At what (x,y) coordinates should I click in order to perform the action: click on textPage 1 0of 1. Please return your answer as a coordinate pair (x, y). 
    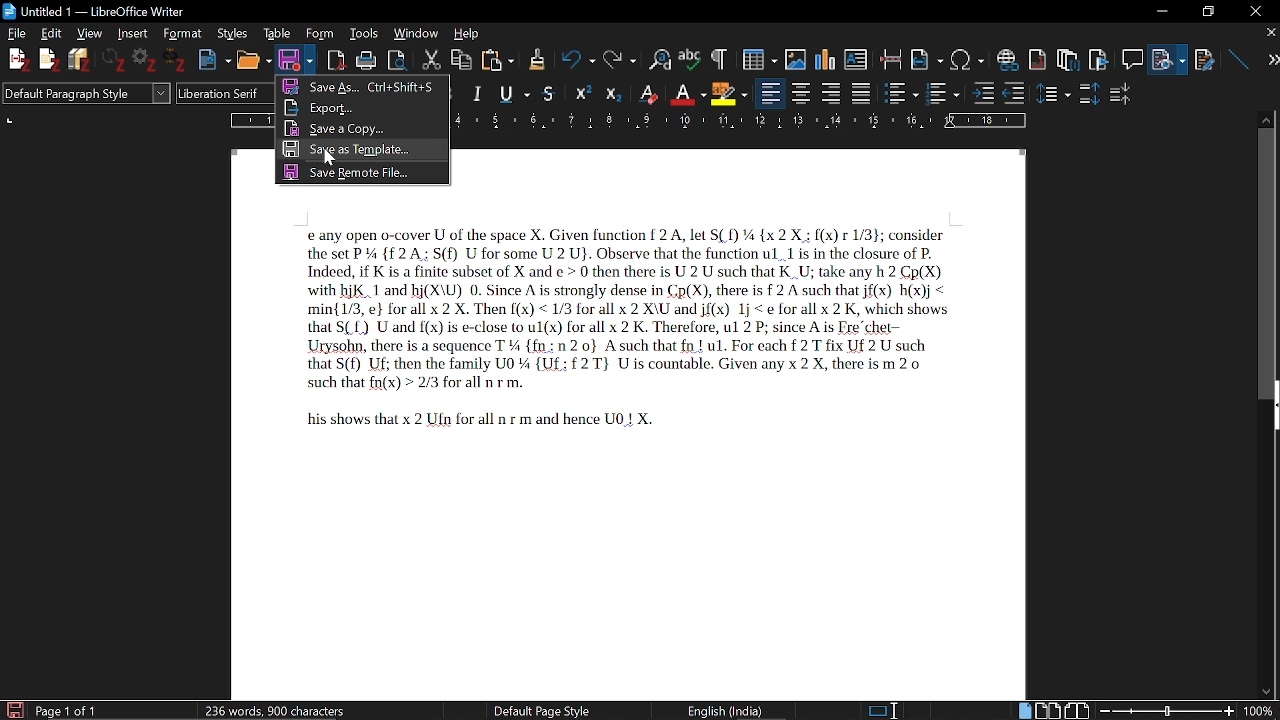
    Looking at the image, I should click on (620, 335).